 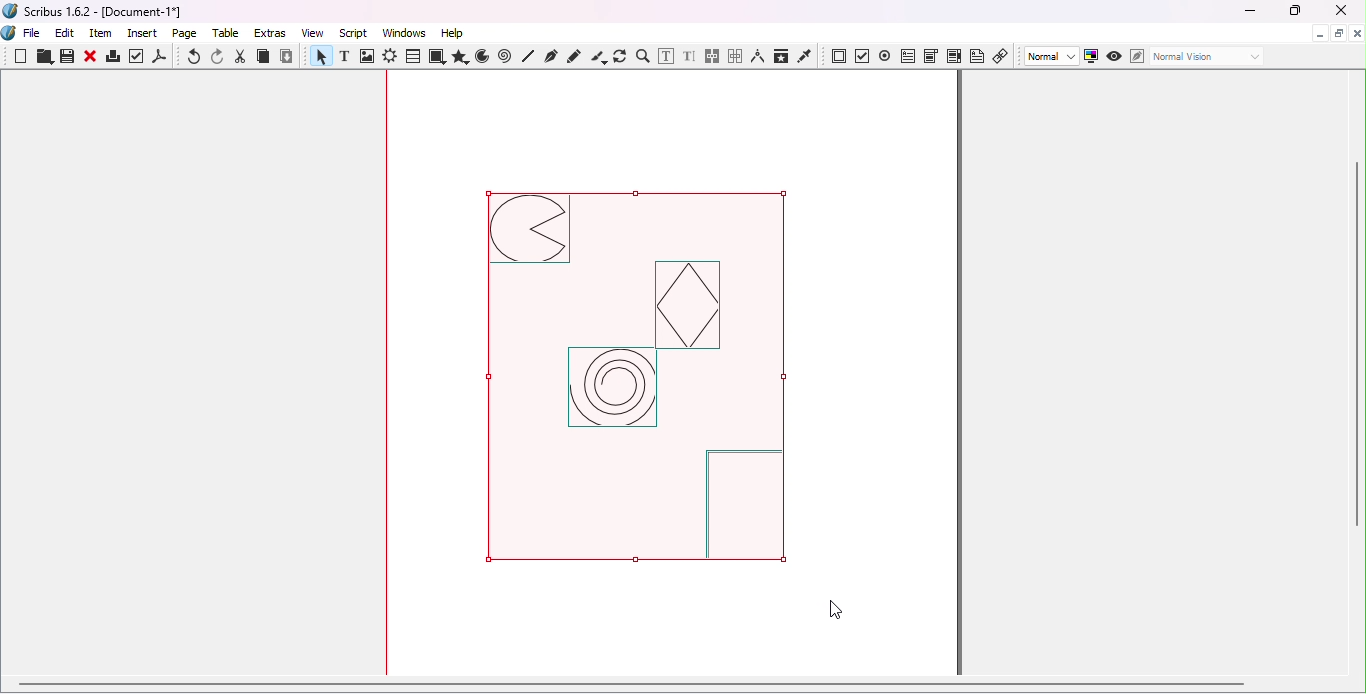 I want to click on Page, so click(x=188, y=35).